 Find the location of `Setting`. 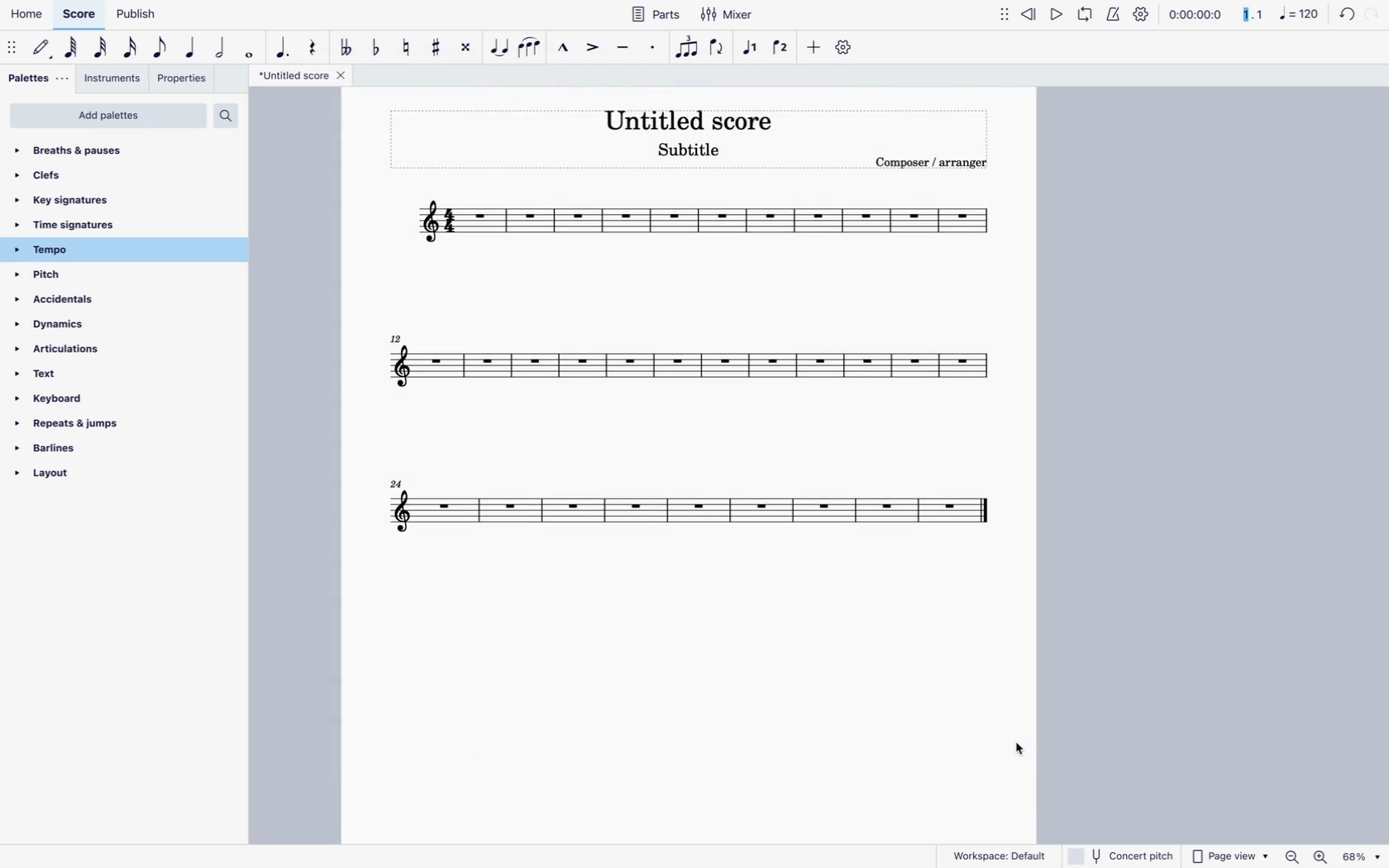

Setting is located at coordinates (1136, 15).